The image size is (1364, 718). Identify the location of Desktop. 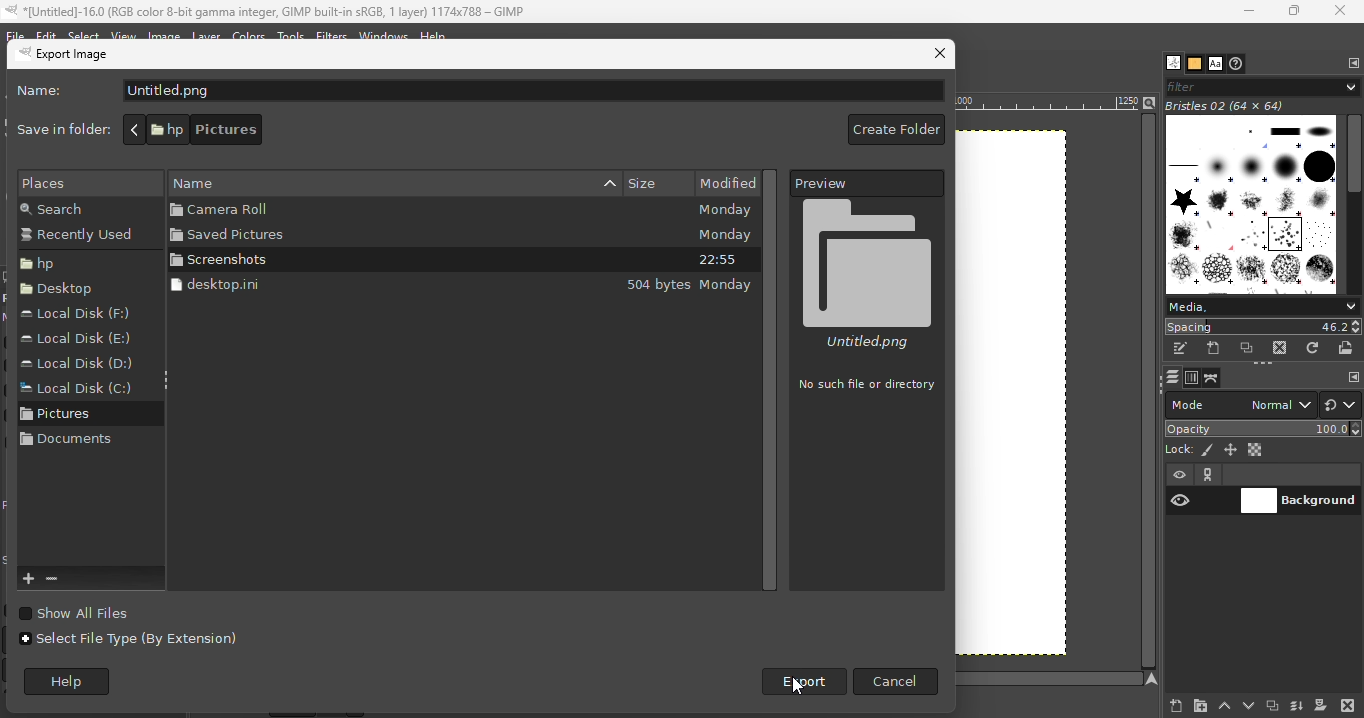
(63, 292).